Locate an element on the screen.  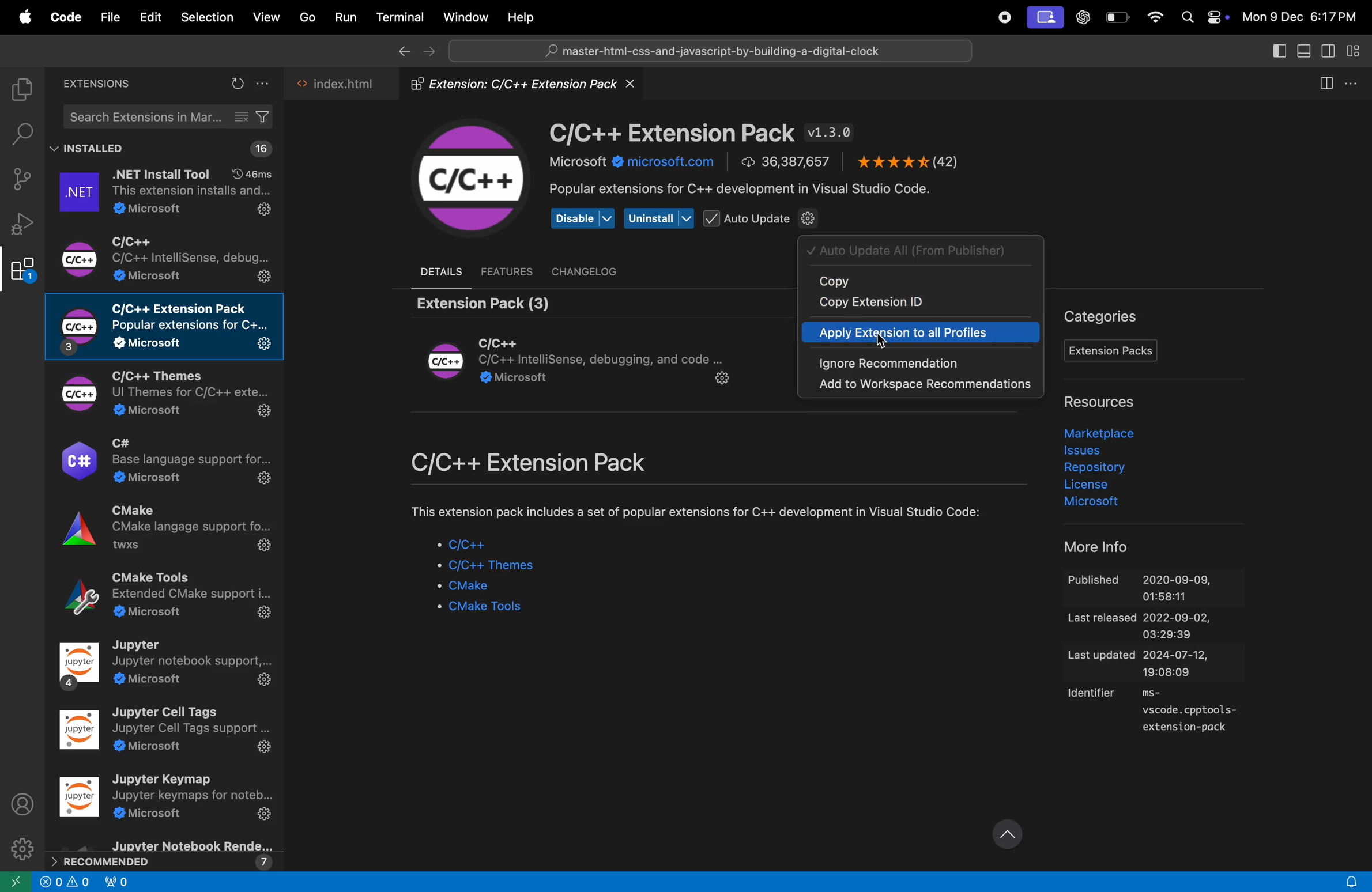
features is located at coordinates (508, 271).